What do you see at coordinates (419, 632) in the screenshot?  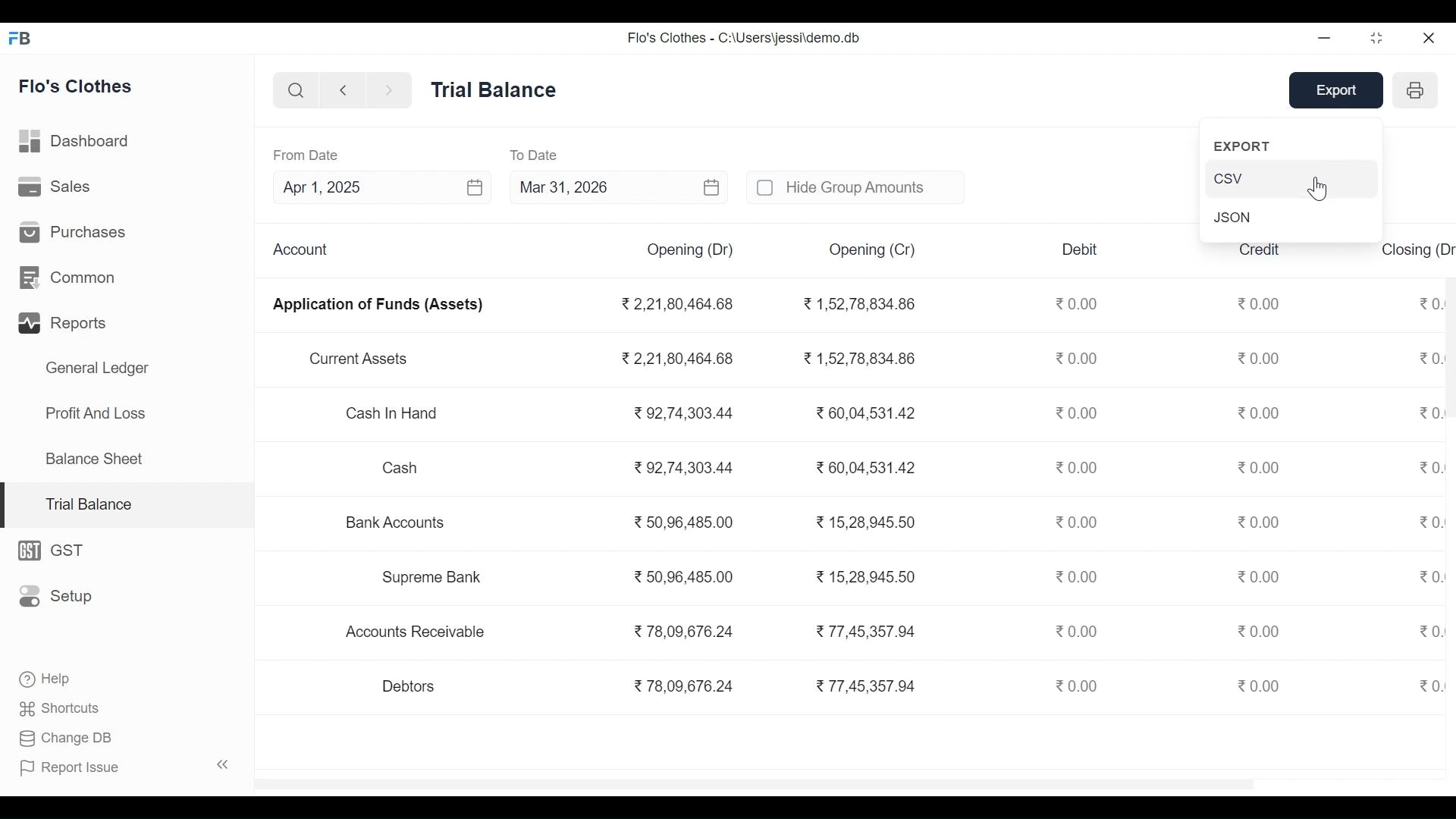 I see `Accounts Receivable` at bounding box center [419, 632].